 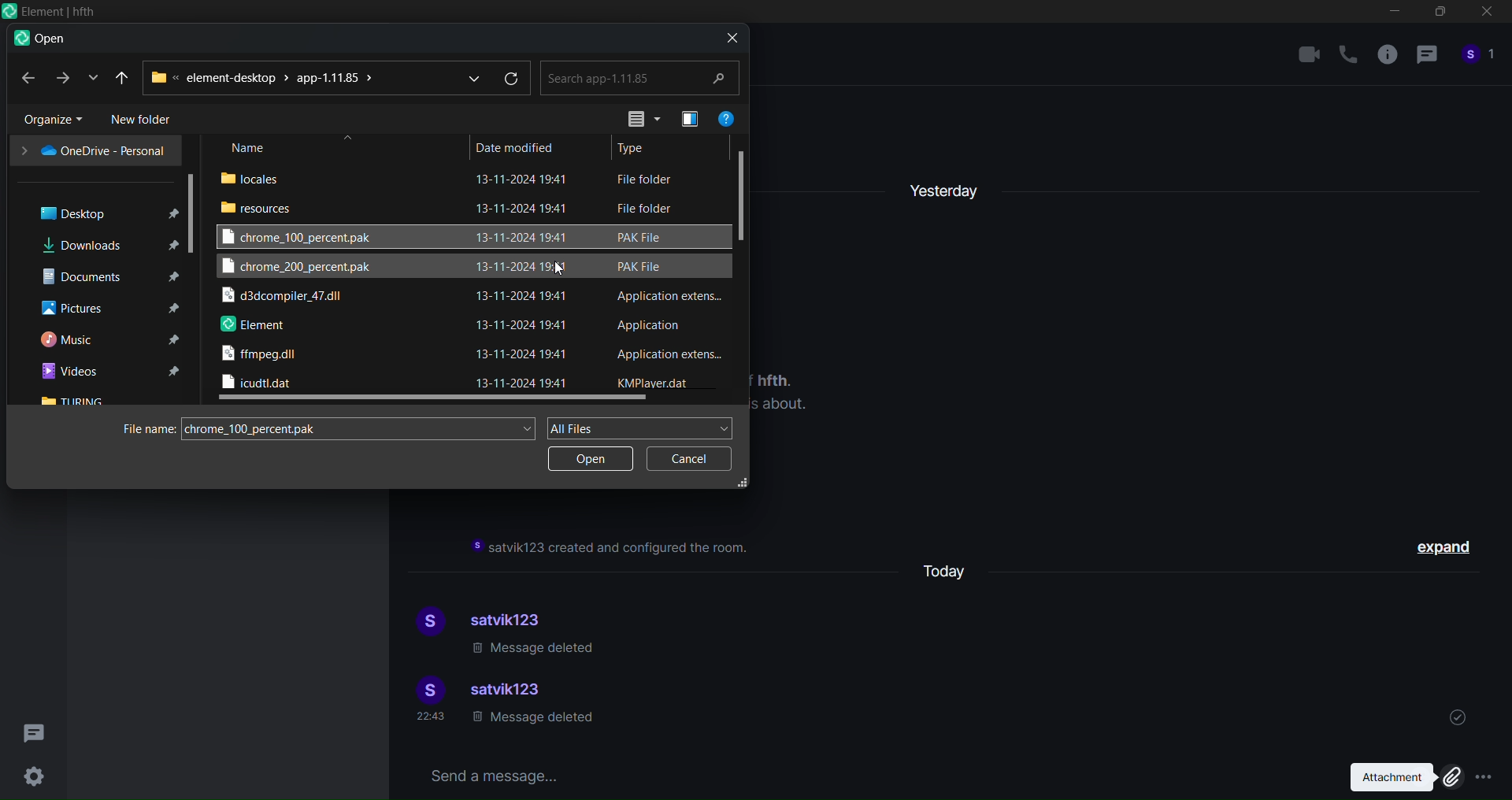 I want to click on recent, so click(x=124, y=76).